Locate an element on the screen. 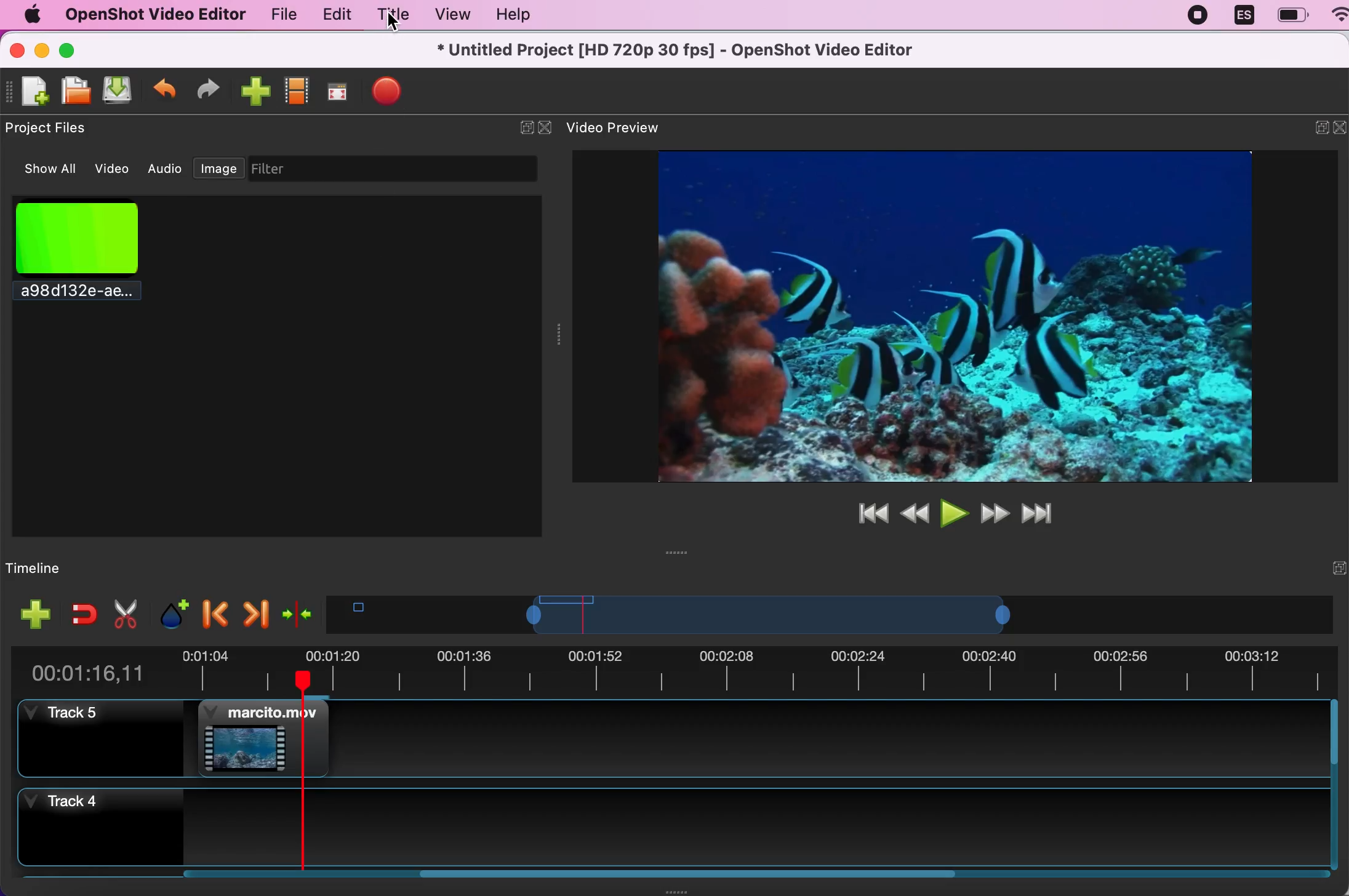  video is located at coordinates (114, 167).